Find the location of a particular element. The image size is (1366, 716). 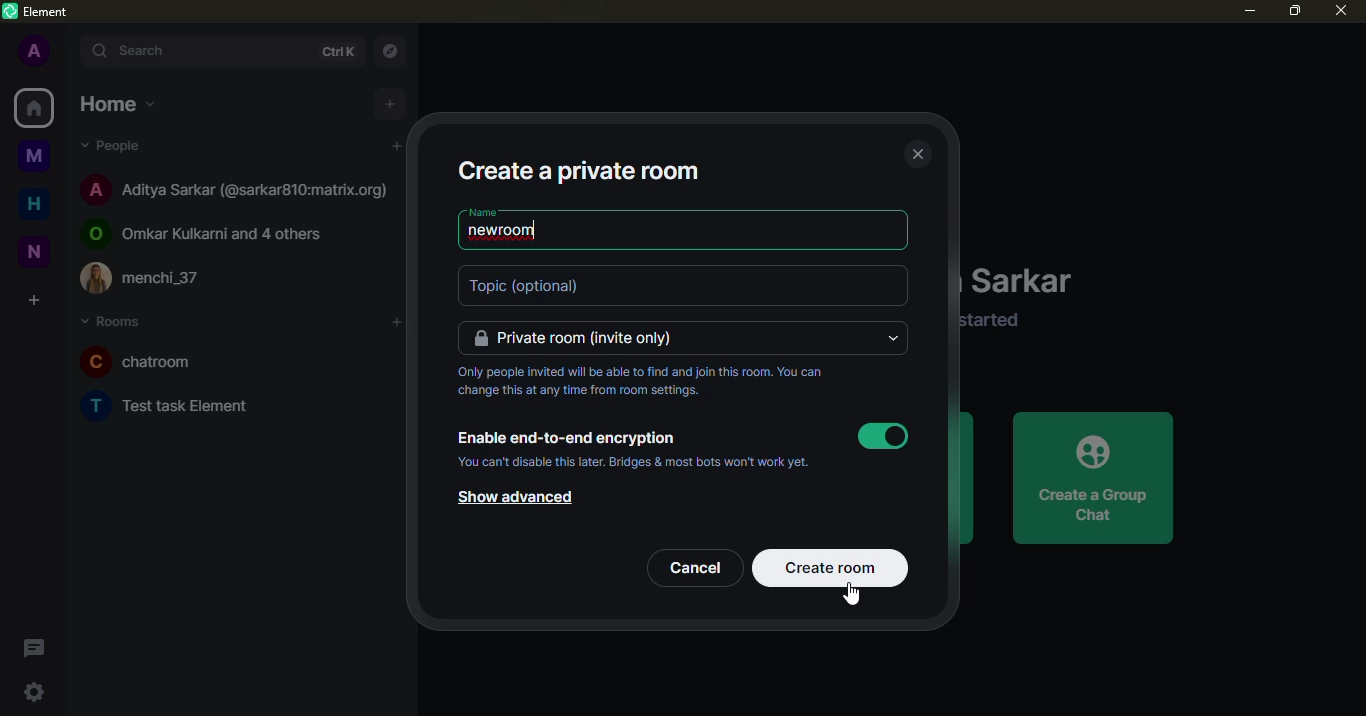

show advanced is located at coordinates (521, 498).